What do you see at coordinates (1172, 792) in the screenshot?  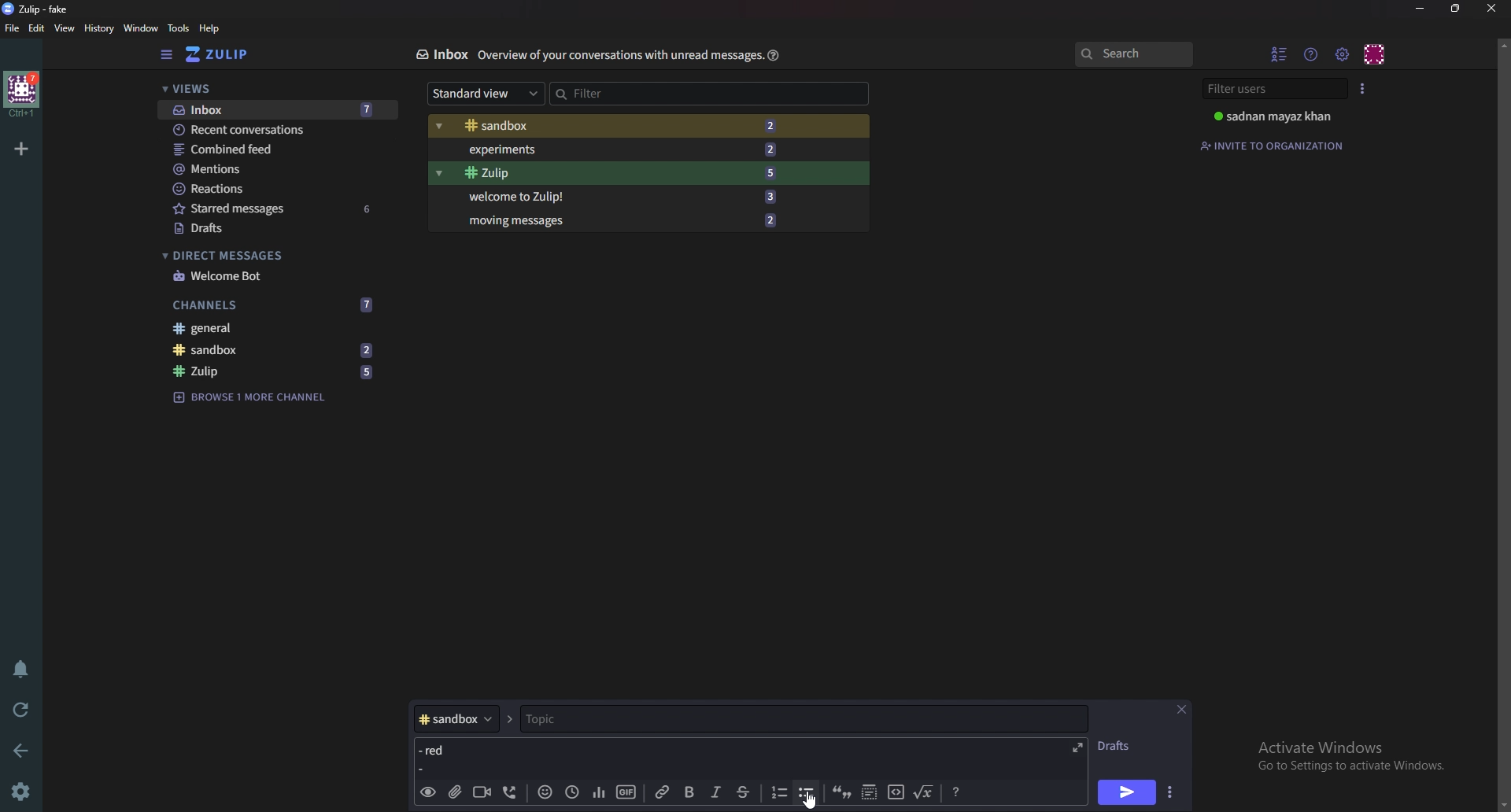 I see `Send options` at bounding box center [1172, 792].